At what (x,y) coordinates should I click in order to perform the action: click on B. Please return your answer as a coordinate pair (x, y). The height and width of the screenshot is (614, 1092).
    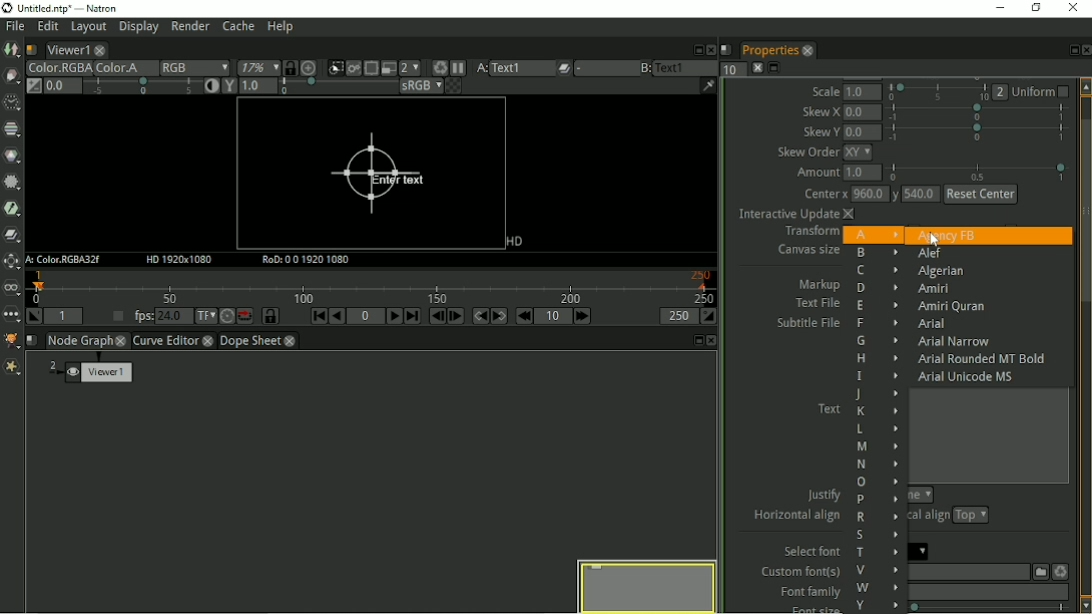
    Looking at the image, I should click on (877, 253).